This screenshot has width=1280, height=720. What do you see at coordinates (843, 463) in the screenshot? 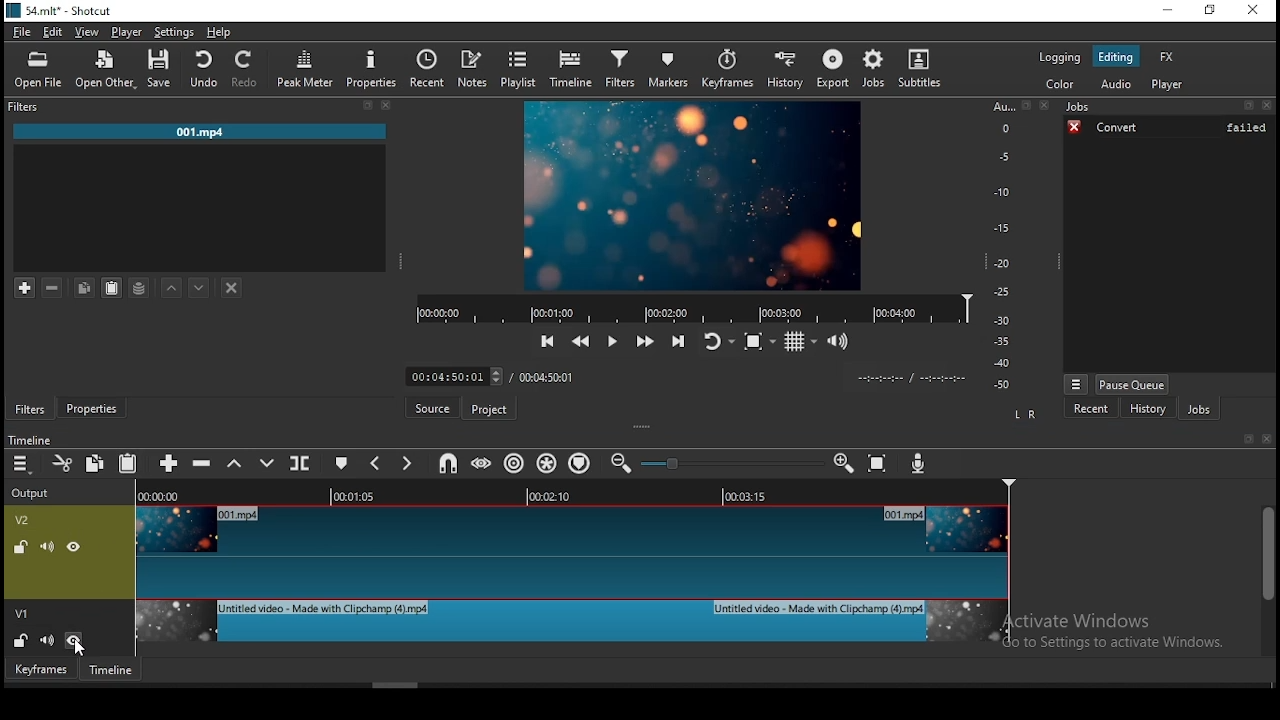
I see `zoom timeline out` at bounding box center [843, 463].